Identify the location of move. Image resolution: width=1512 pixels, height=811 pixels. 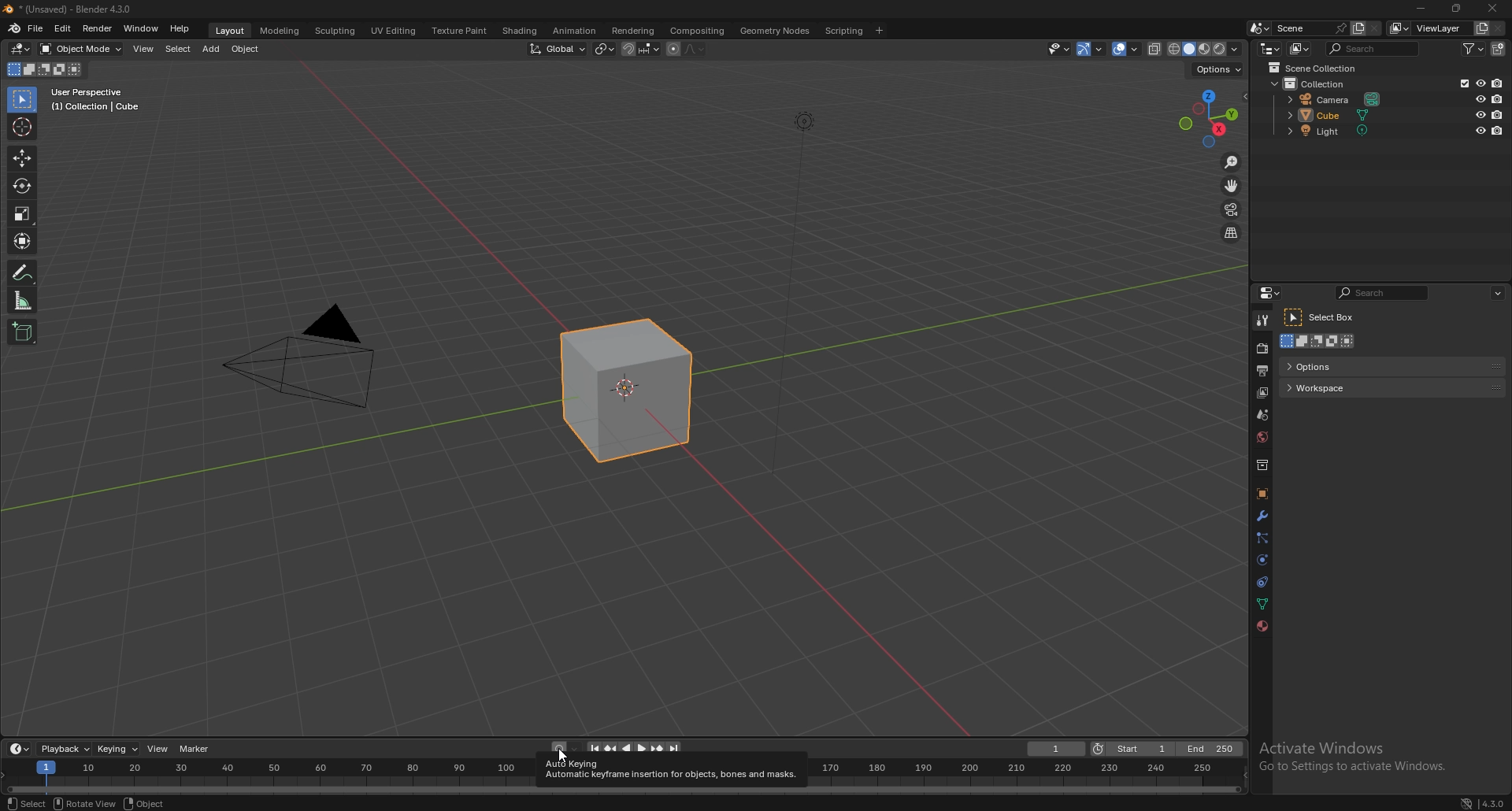
(21, 159).